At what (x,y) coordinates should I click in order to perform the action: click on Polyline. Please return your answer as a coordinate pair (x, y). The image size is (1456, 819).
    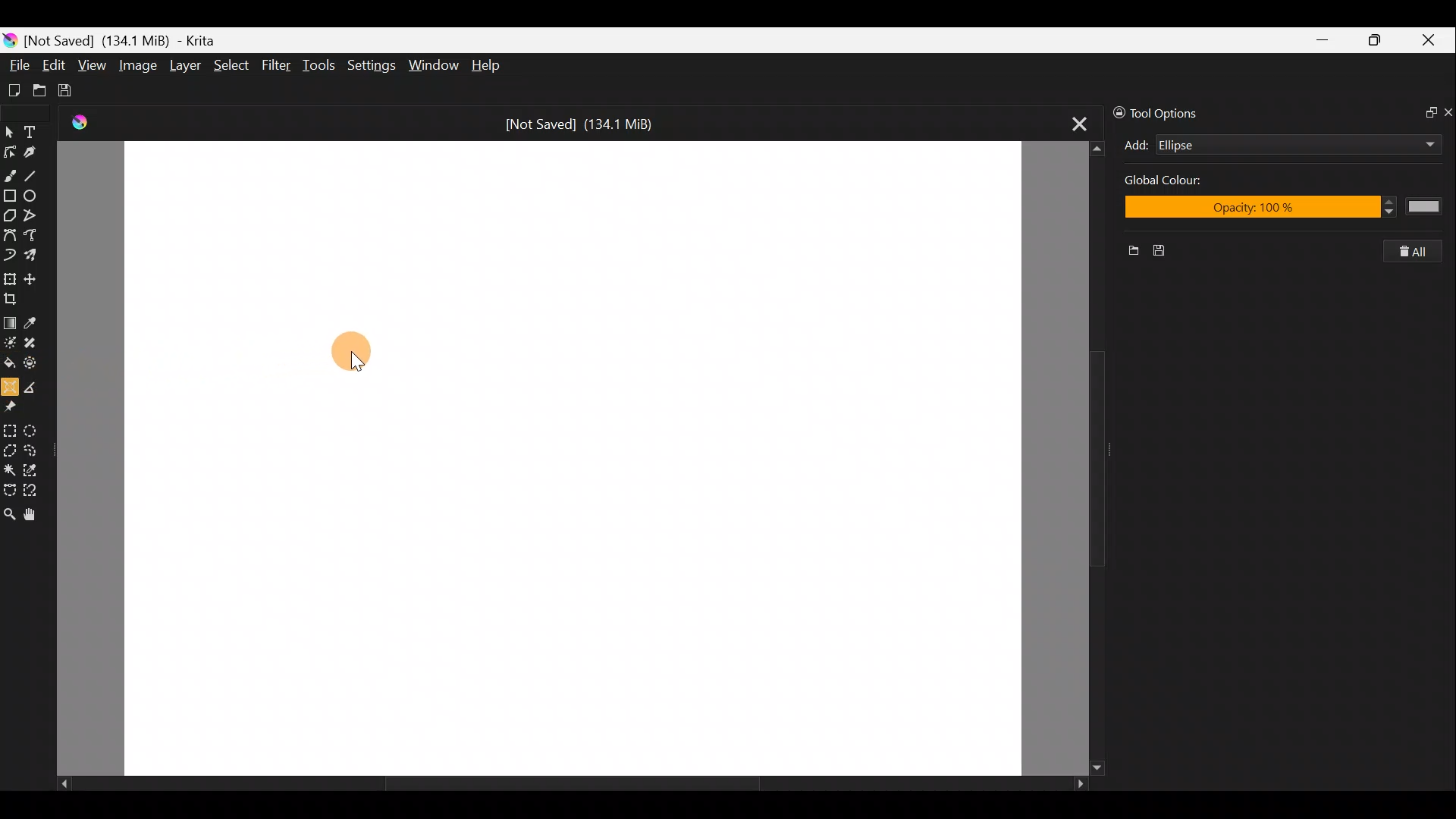
    Looking at the image, I should click on (35, 216).